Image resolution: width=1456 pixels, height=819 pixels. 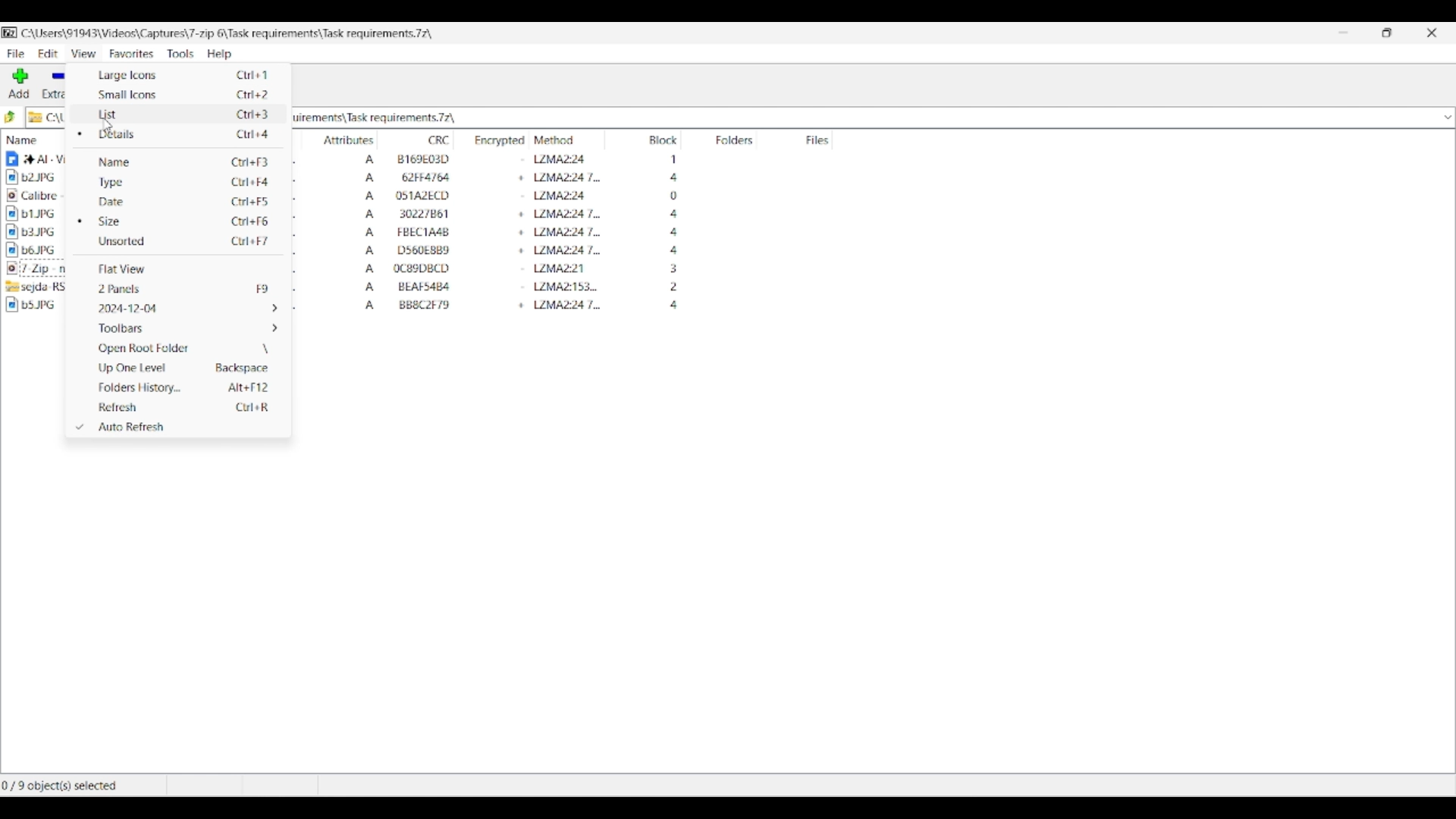 I want to click on List, so click(x=174, y=114).